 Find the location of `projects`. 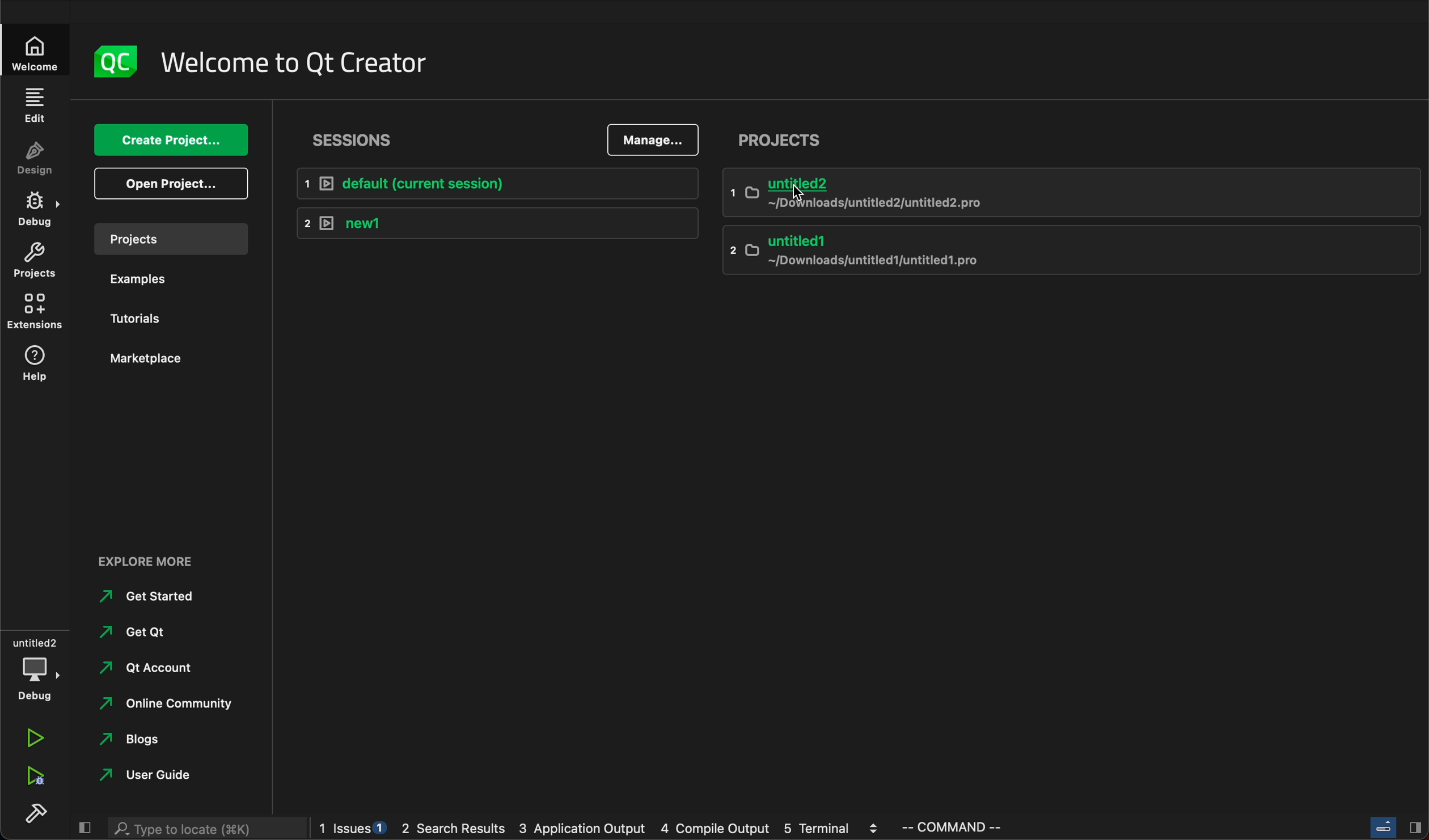

projects is located at coordinates (783, 137).